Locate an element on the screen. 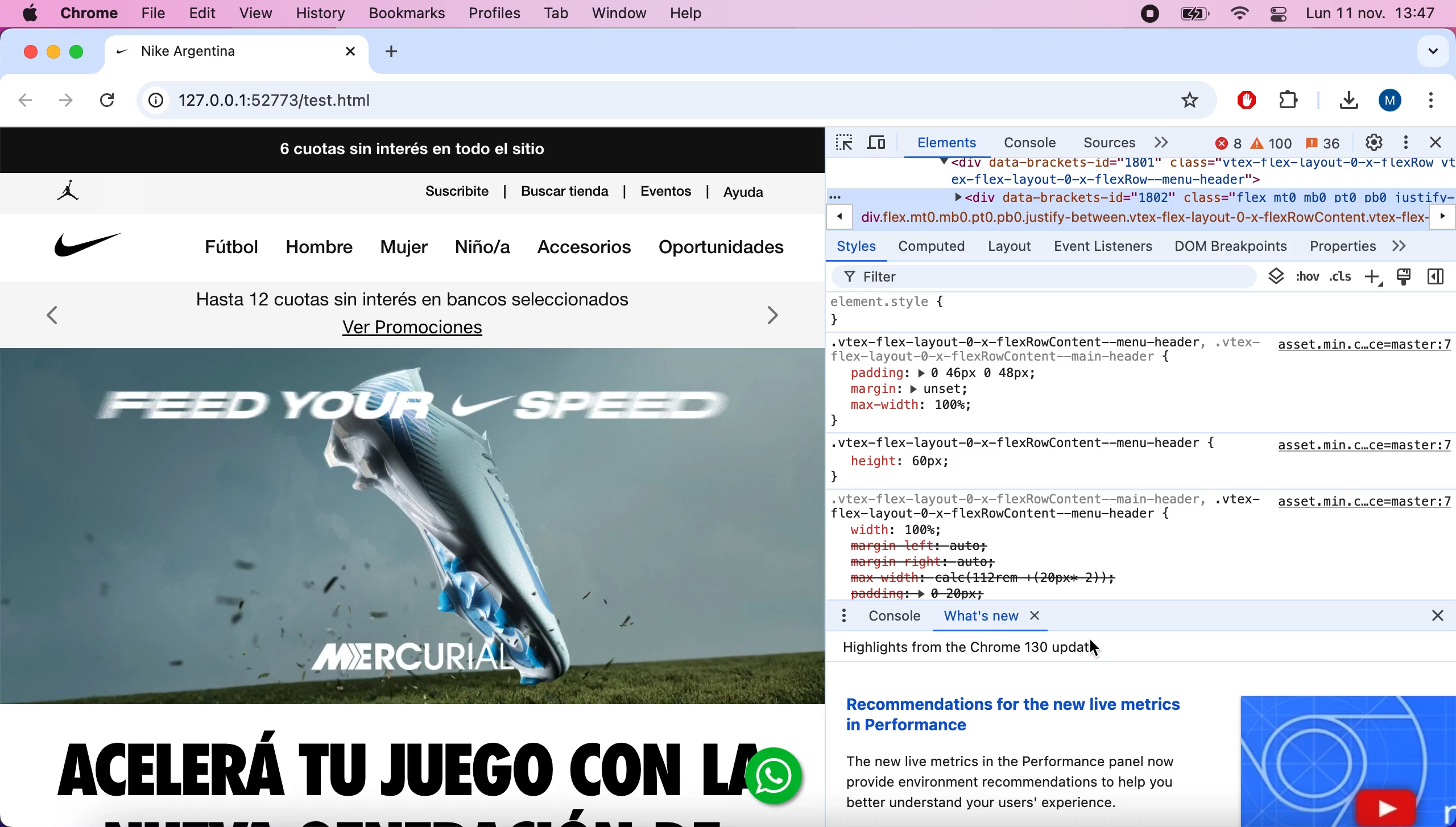 This screenshot has width=1456, height=827. downloads is located at coordinates (1343, 101).